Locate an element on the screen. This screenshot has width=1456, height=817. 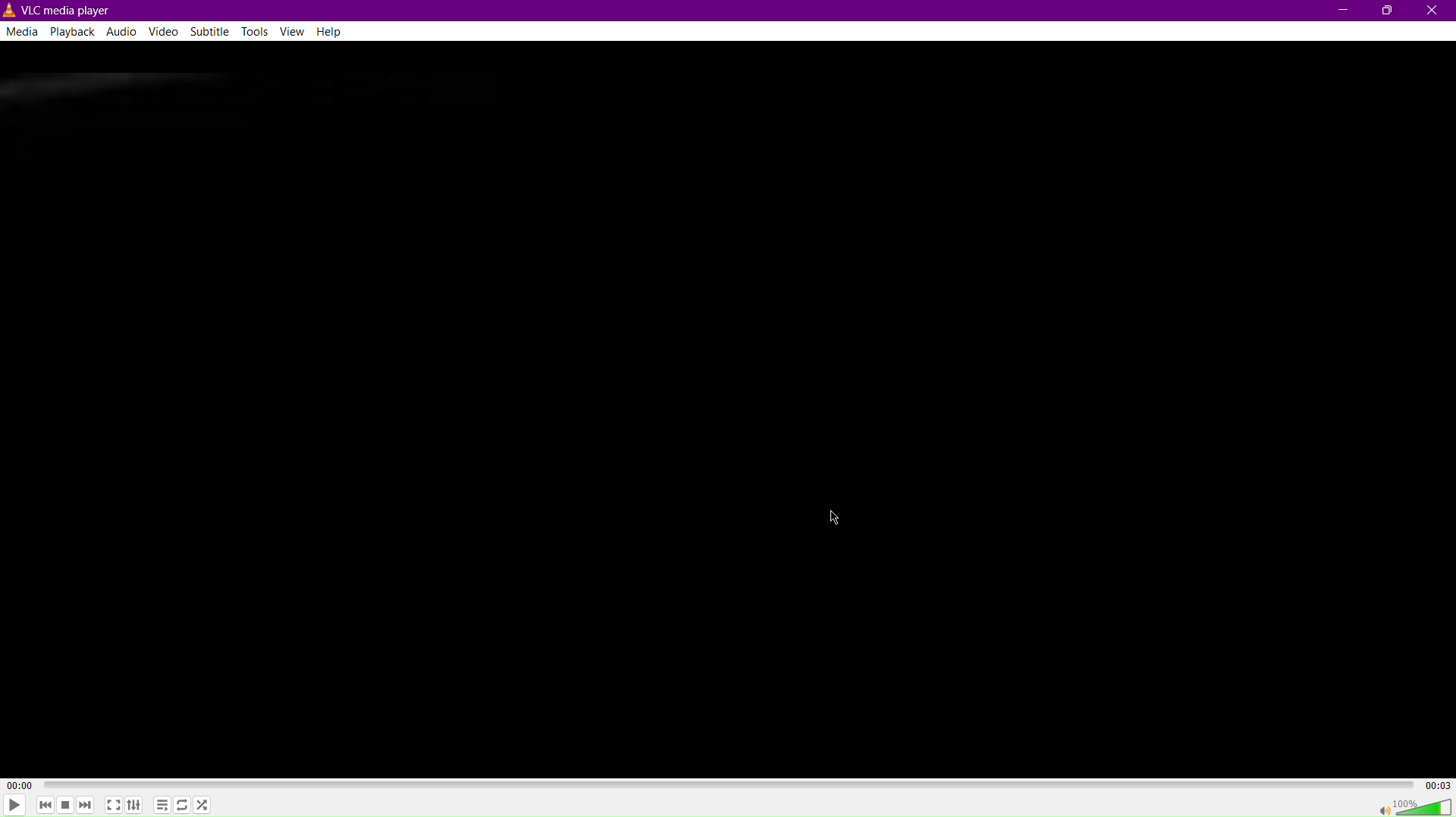
timeline is located at coordinates (729, 784).